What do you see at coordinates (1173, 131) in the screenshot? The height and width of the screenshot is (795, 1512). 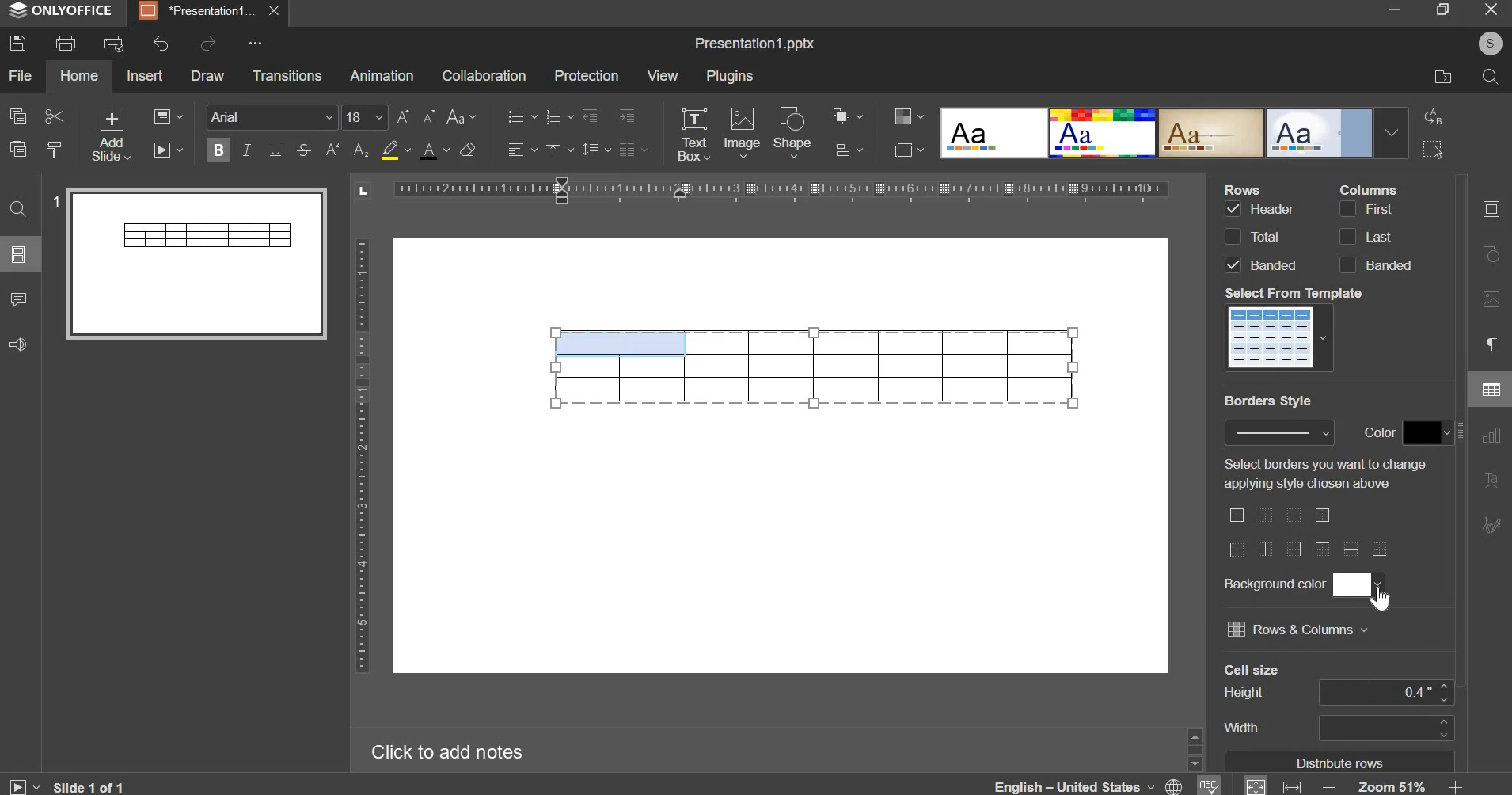 I see `design` at bounding box center [1173, 131].